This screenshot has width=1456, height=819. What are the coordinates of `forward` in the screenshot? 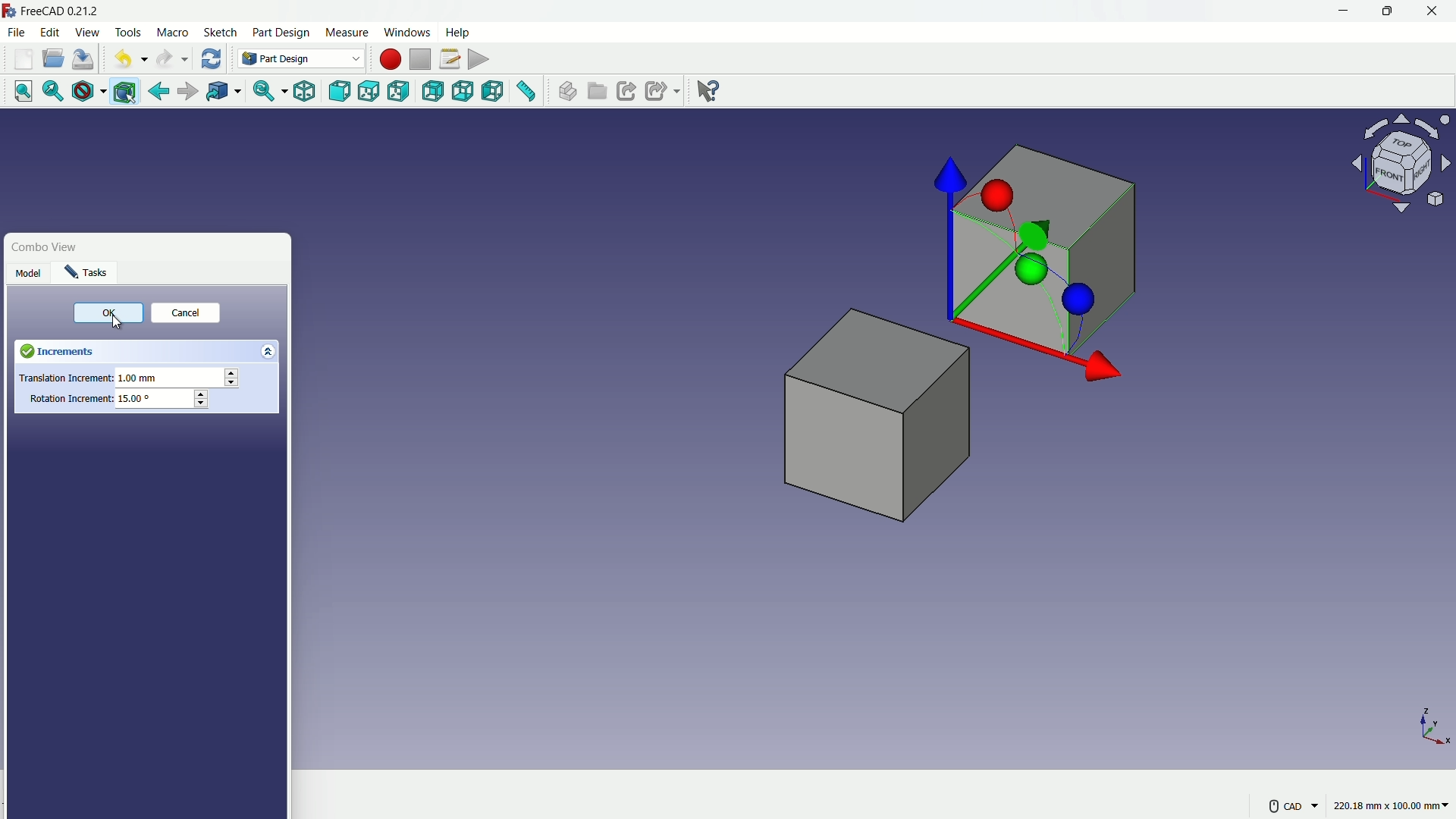 It's located at (186, 93).